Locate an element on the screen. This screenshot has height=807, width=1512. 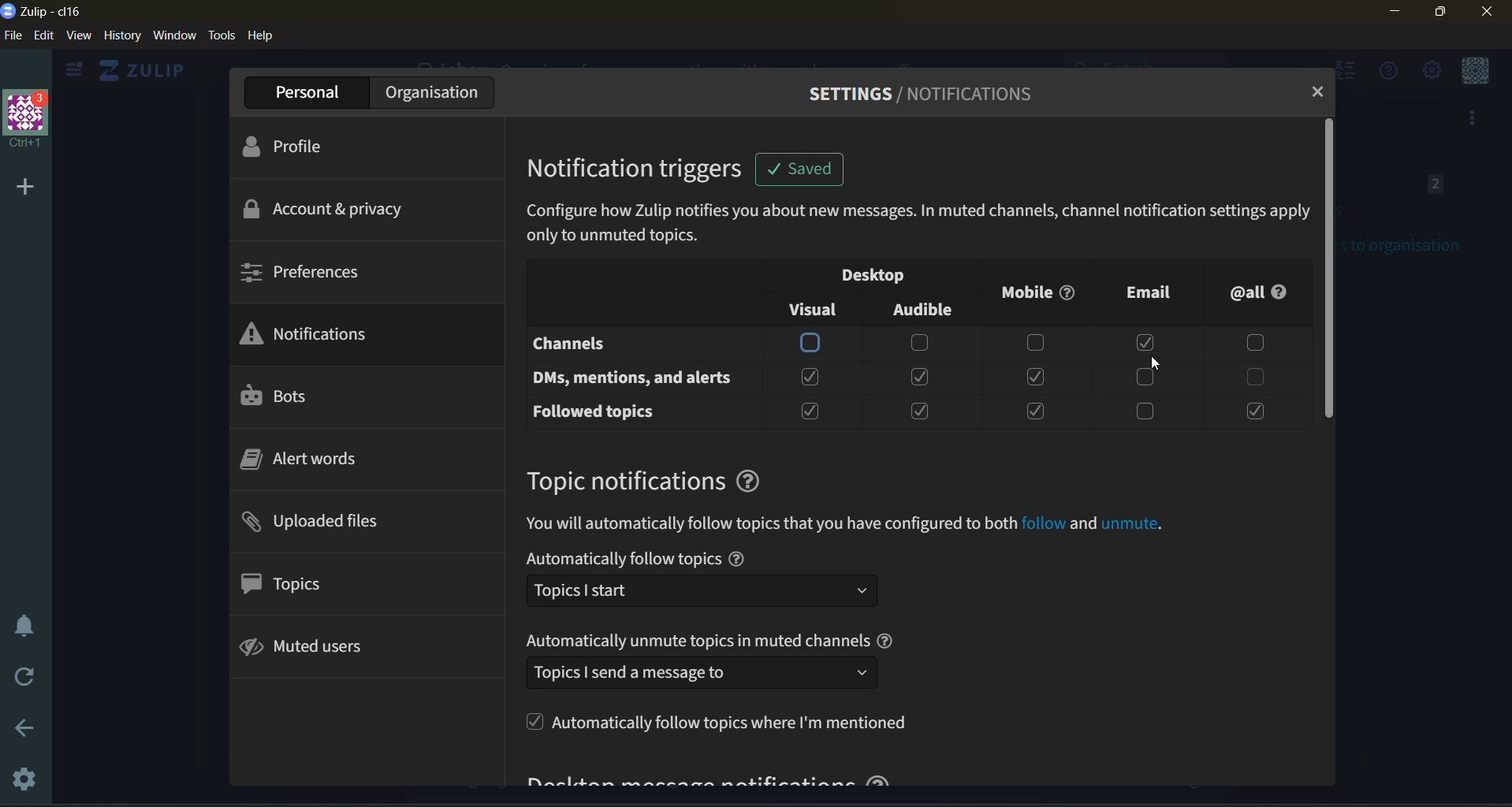
vertical scroll bar is located at coordinates (1331, 267).